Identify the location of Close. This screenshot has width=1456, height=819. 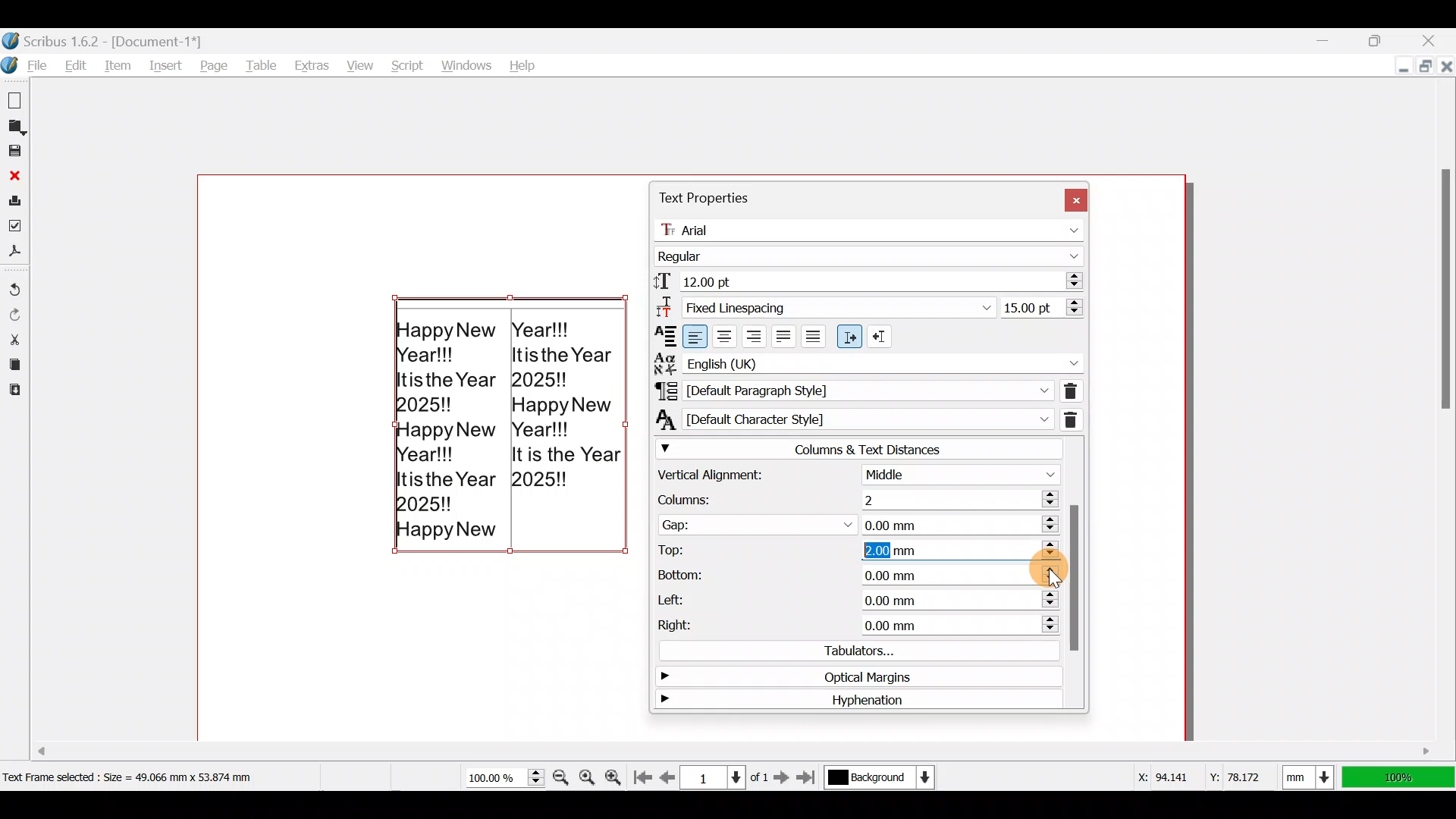
(1439, 36).